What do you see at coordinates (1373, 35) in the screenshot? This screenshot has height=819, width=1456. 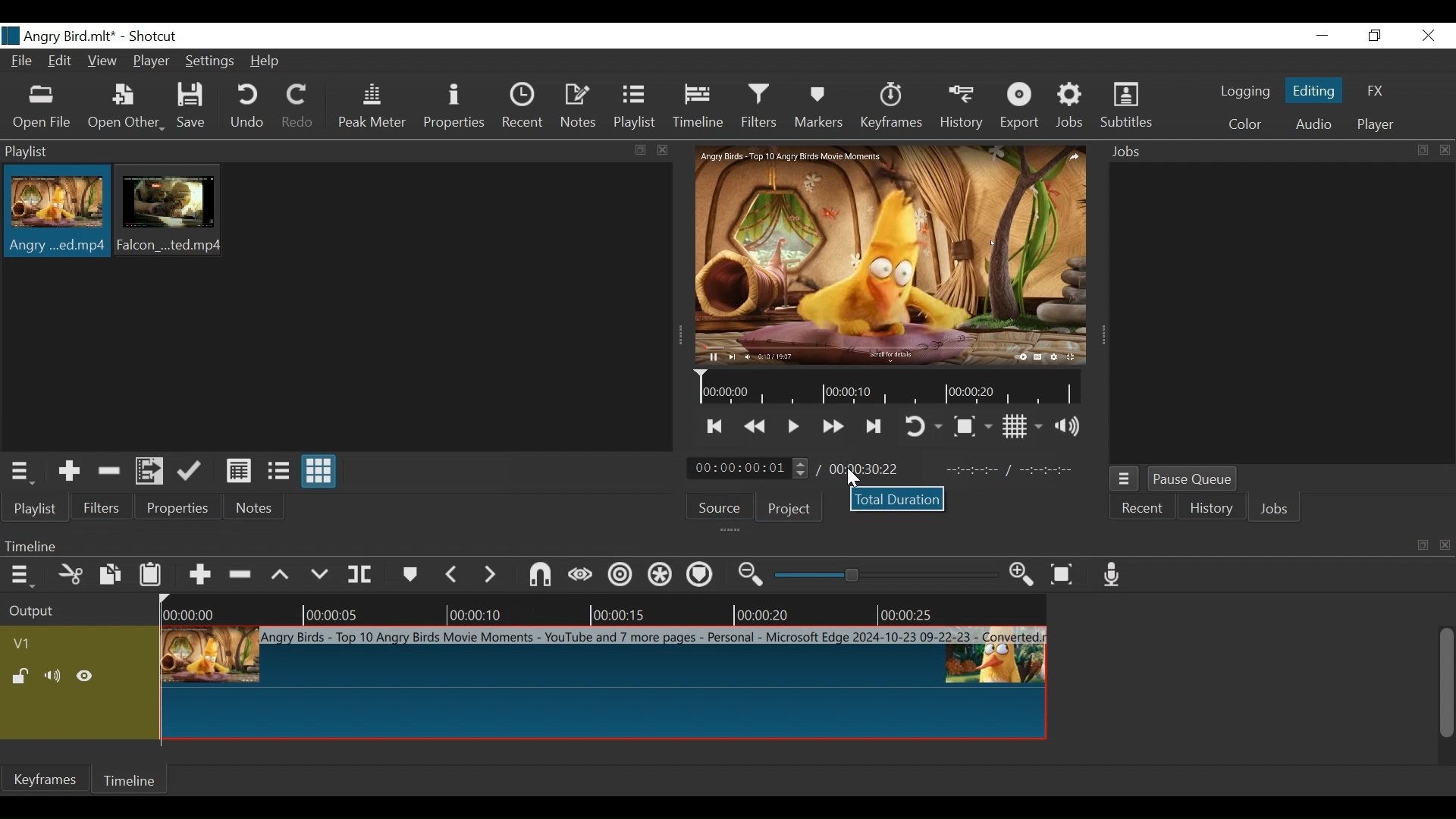 I see `Restore` at bounding box center [1373, 35].